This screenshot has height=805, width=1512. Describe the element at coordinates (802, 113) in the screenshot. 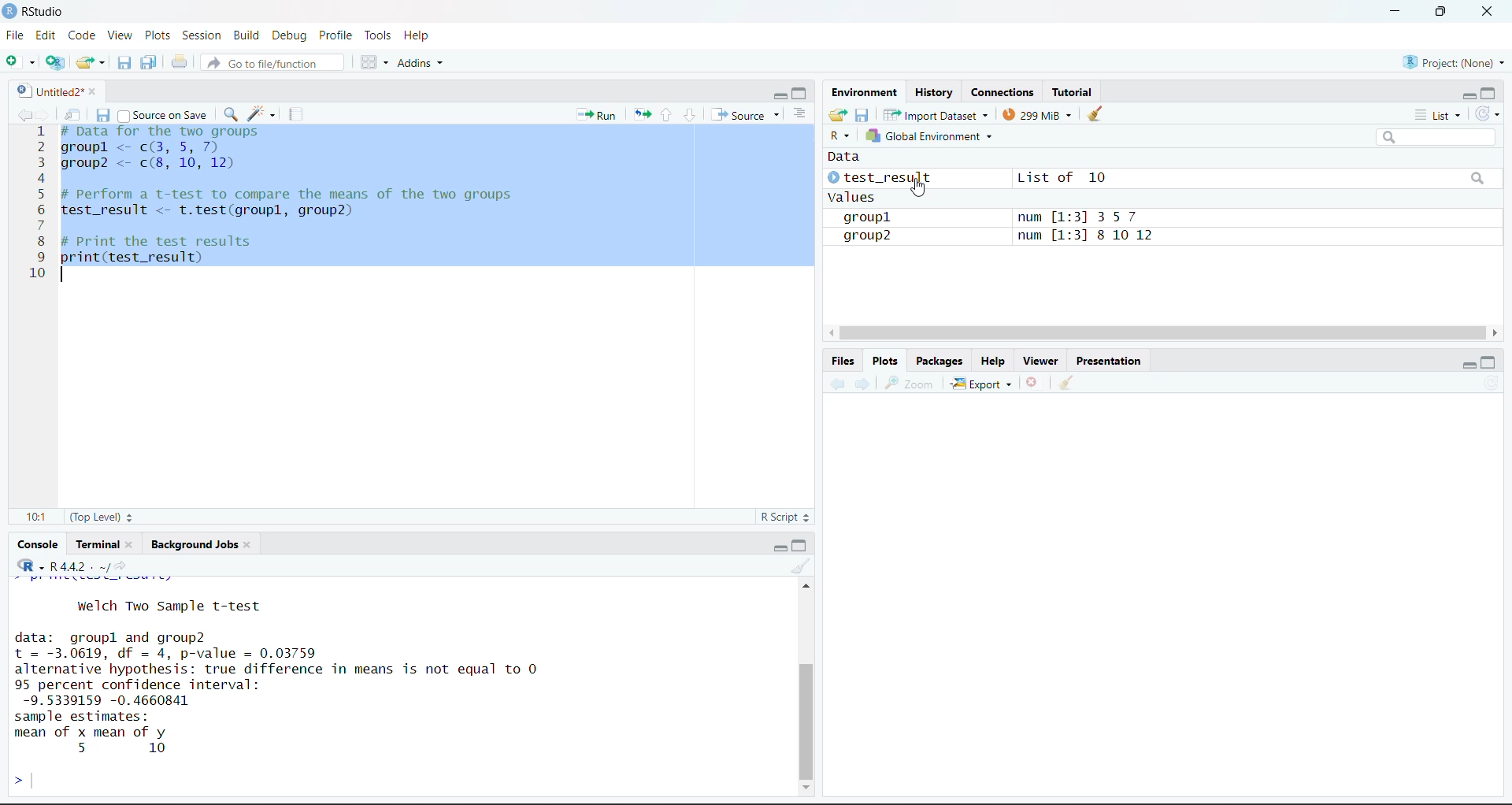

I see `show document outline` at that location.